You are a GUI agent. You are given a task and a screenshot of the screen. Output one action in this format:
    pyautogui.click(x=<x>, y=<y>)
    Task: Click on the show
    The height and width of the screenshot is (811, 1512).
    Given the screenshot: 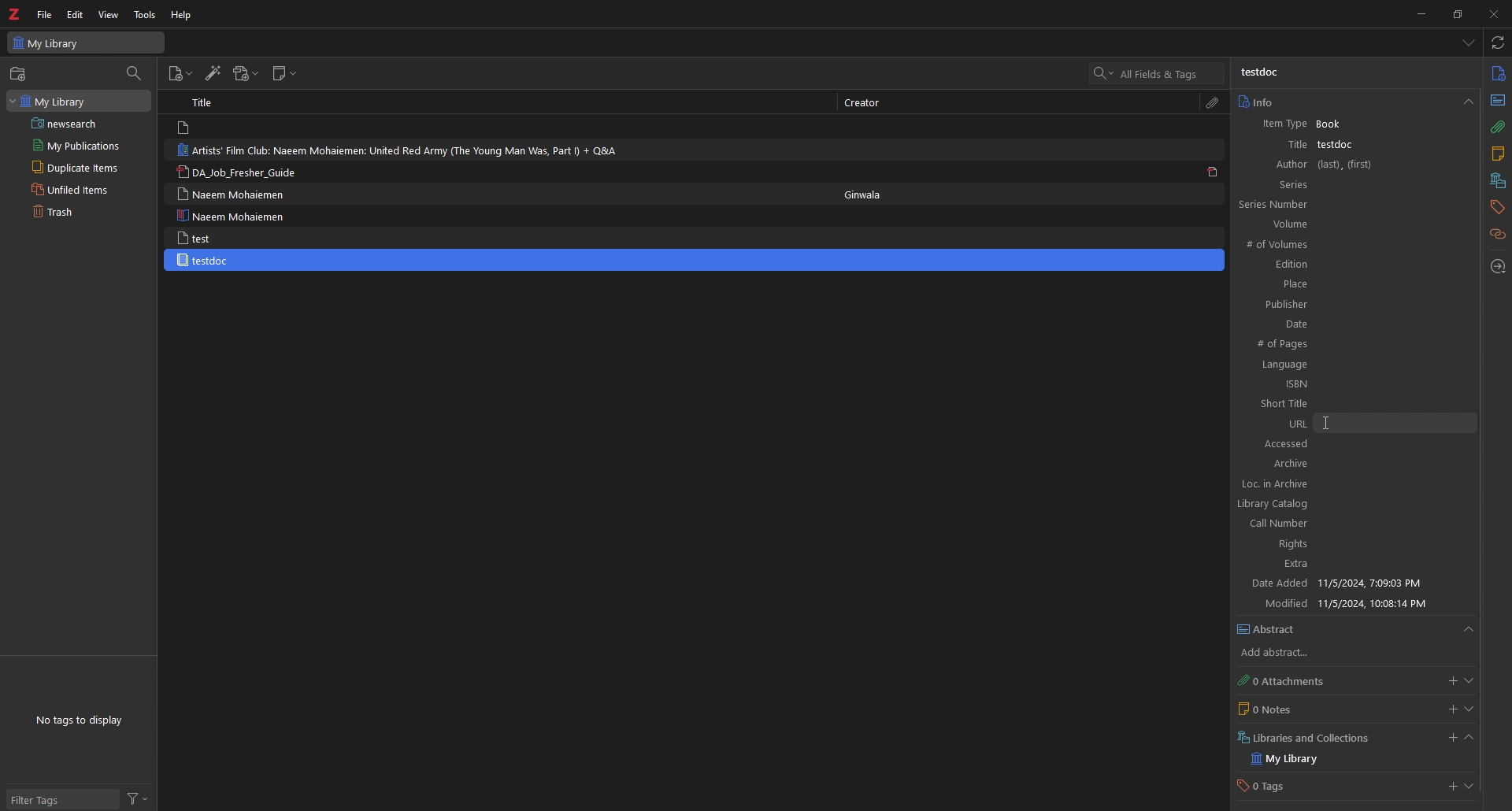 What is the action you would take?
    pyautogui.click(x=1470, y=786)
    